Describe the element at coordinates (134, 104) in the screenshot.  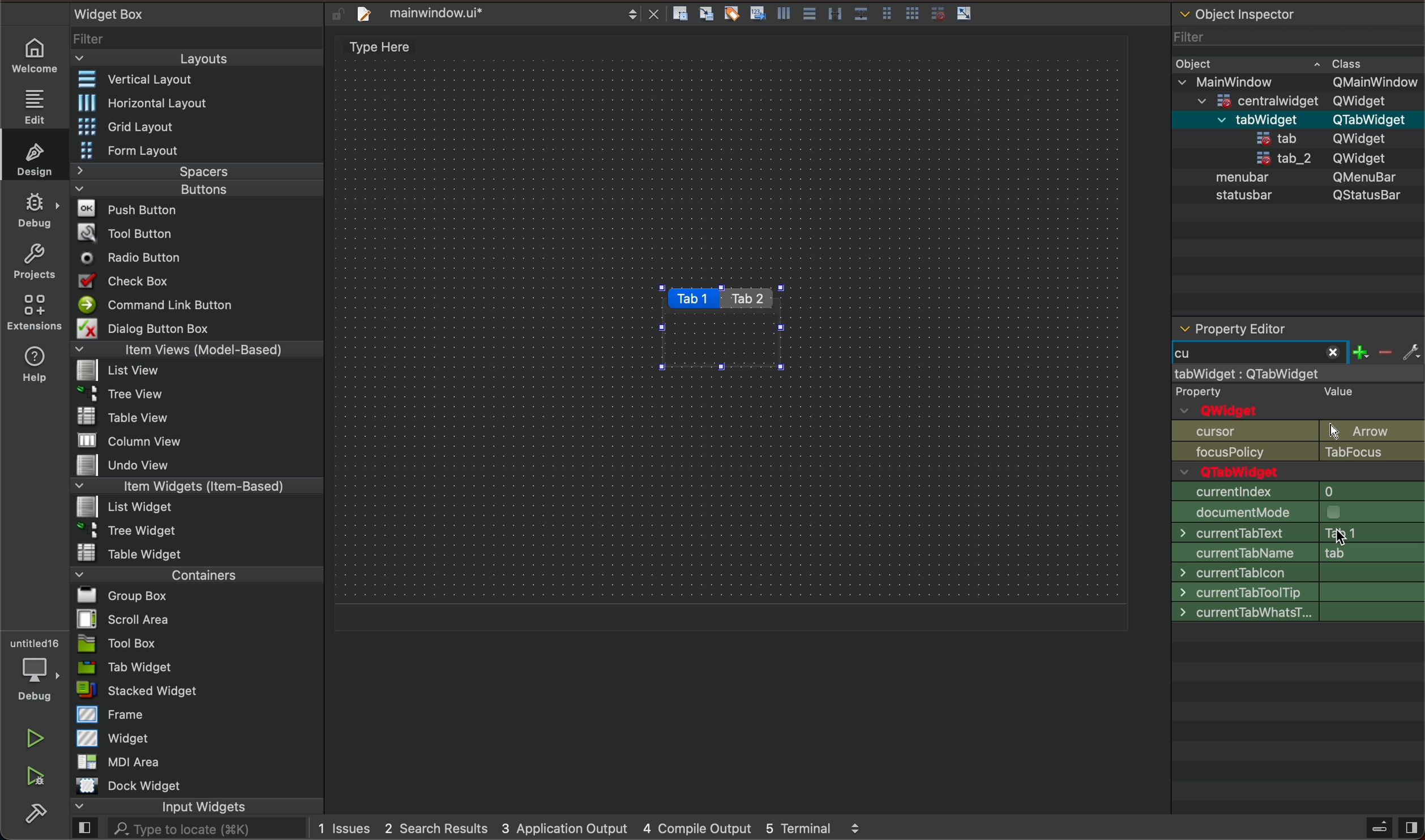
I see `Horizontal Layout` at that location.